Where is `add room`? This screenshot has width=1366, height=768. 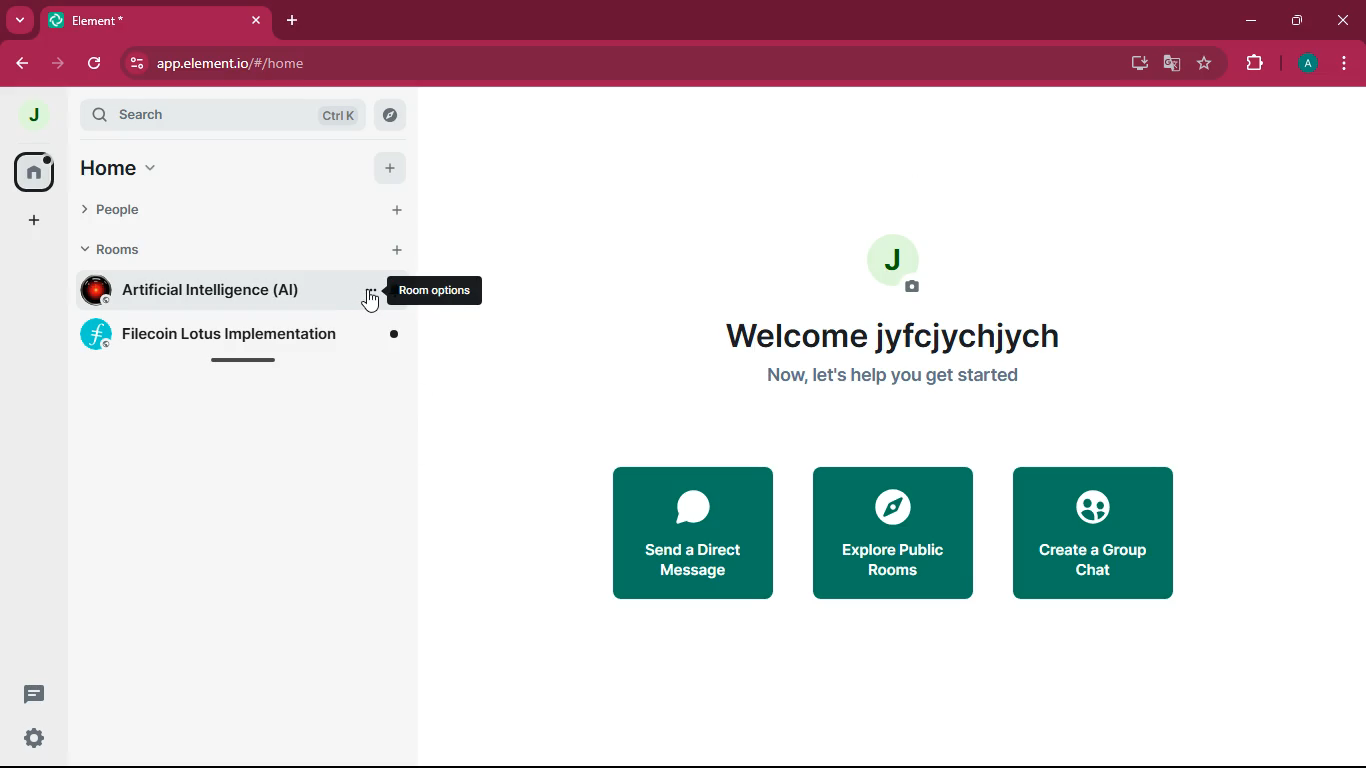 add room is located at coordinates (396, 251).